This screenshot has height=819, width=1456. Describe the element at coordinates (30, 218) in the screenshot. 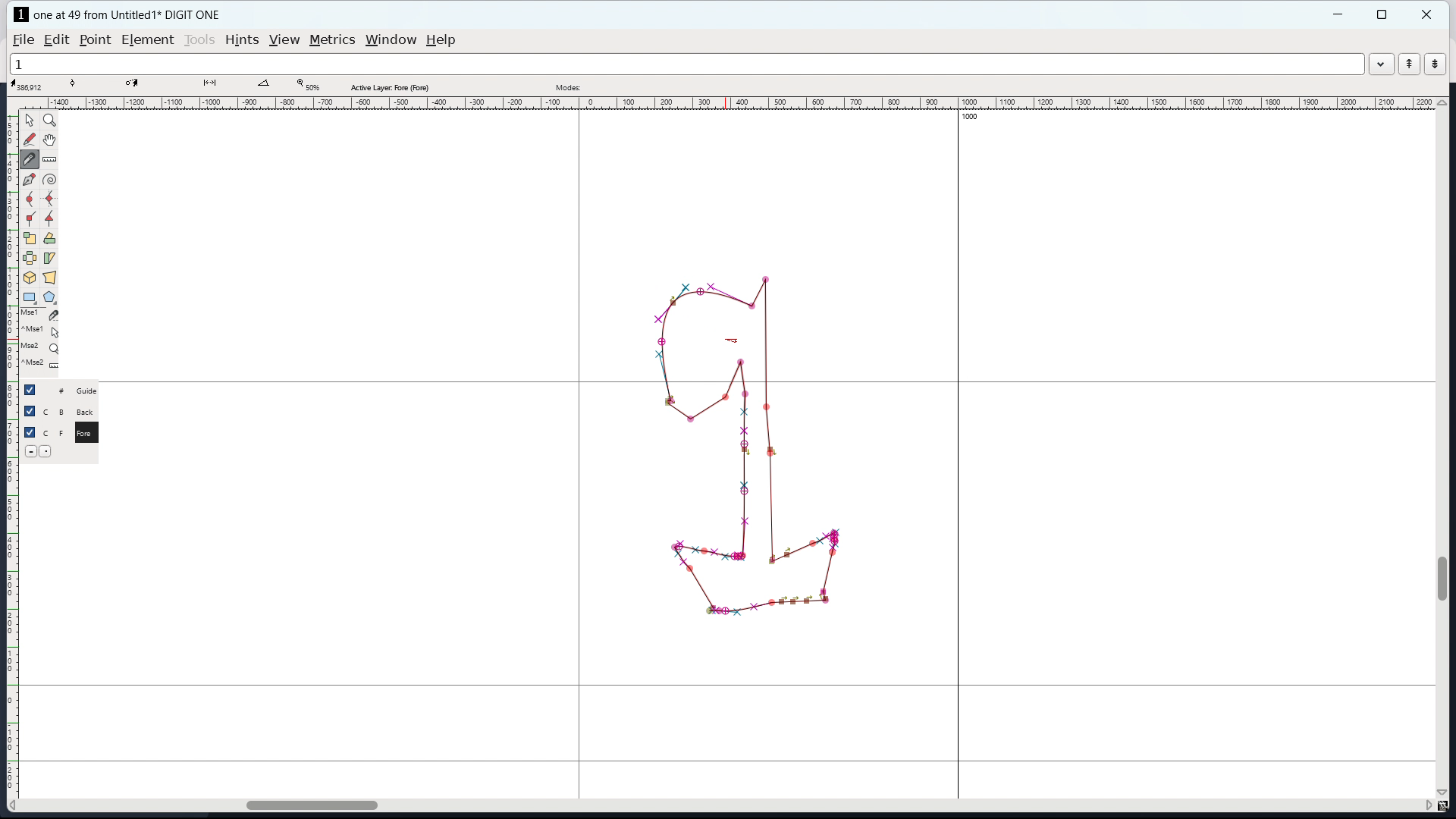

I see `add a corner point` at that location.